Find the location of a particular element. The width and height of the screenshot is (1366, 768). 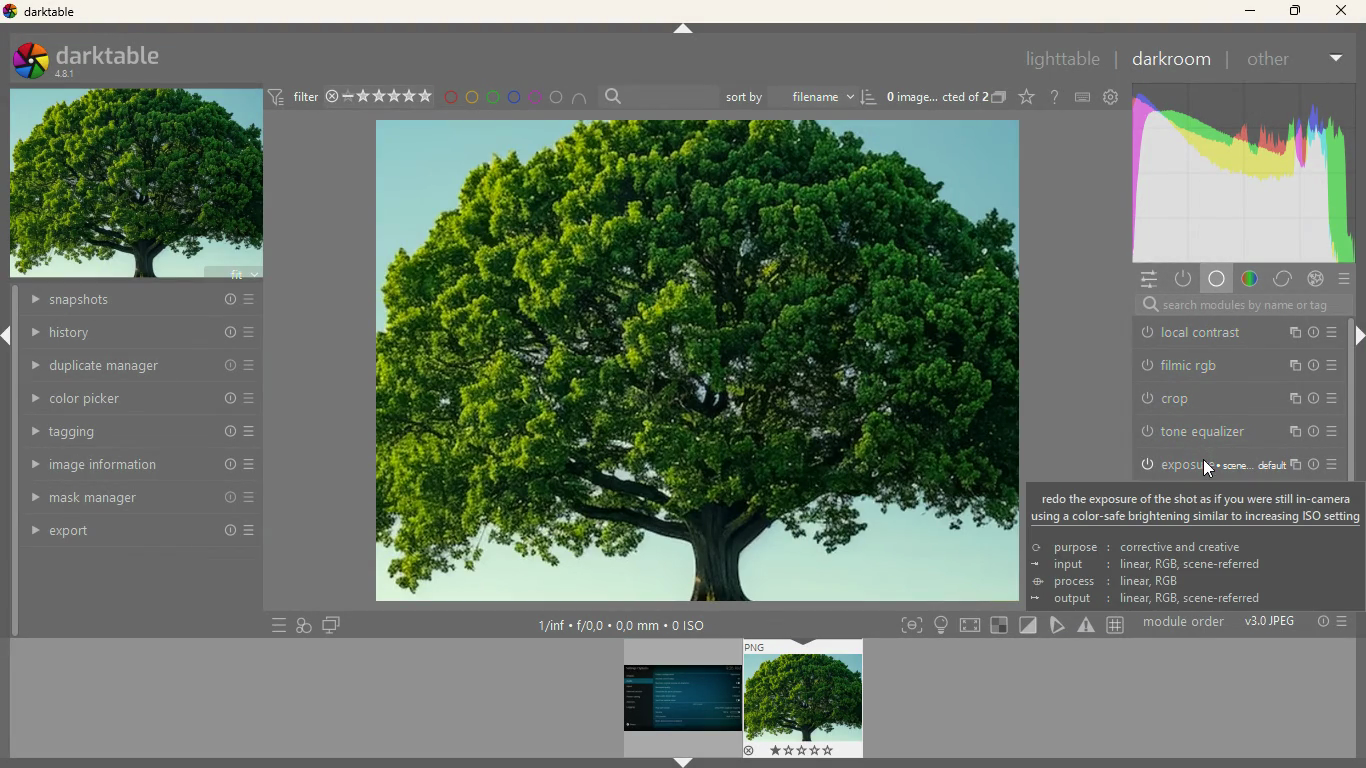

white relative exposure is located at coordinates (1237, 427).